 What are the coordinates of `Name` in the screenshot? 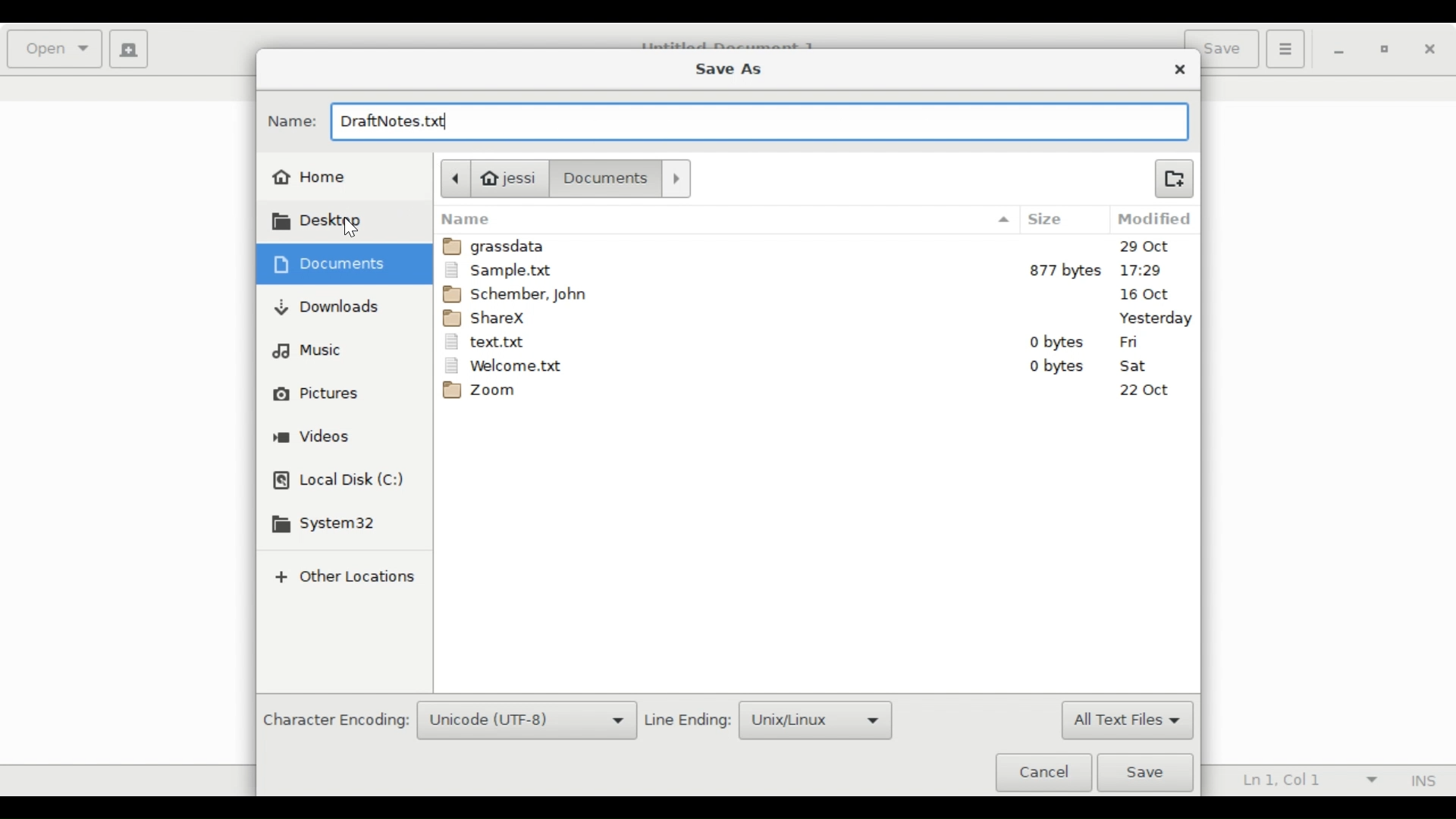 It's located at (293, 121).